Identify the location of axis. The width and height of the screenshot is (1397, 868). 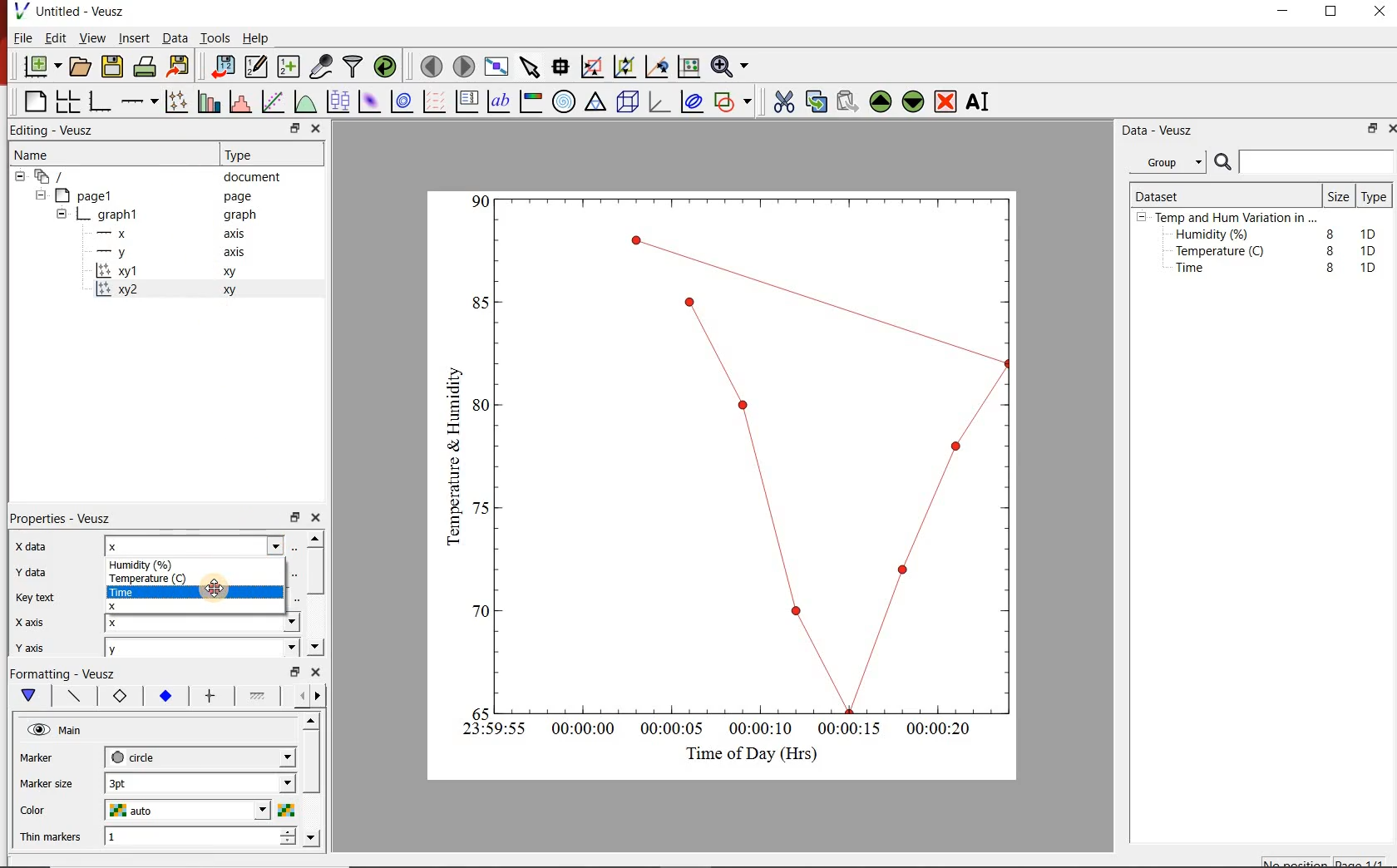
(238, 254).